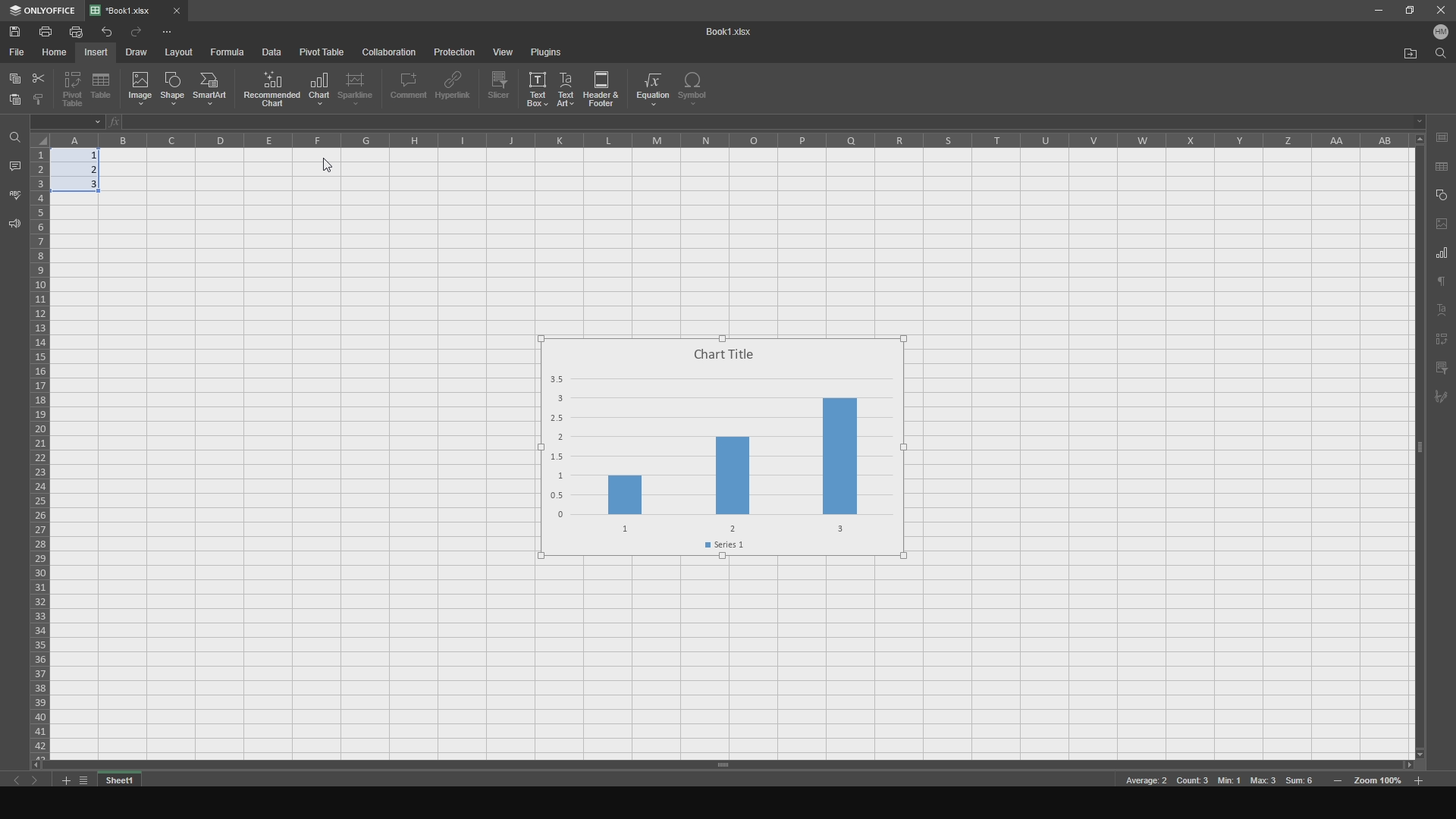 Image resolution: width=1456 pixels, height=819 pixels. Describe the element at coordinates (14, 76) in the screenshot. I see `copy` at that location.